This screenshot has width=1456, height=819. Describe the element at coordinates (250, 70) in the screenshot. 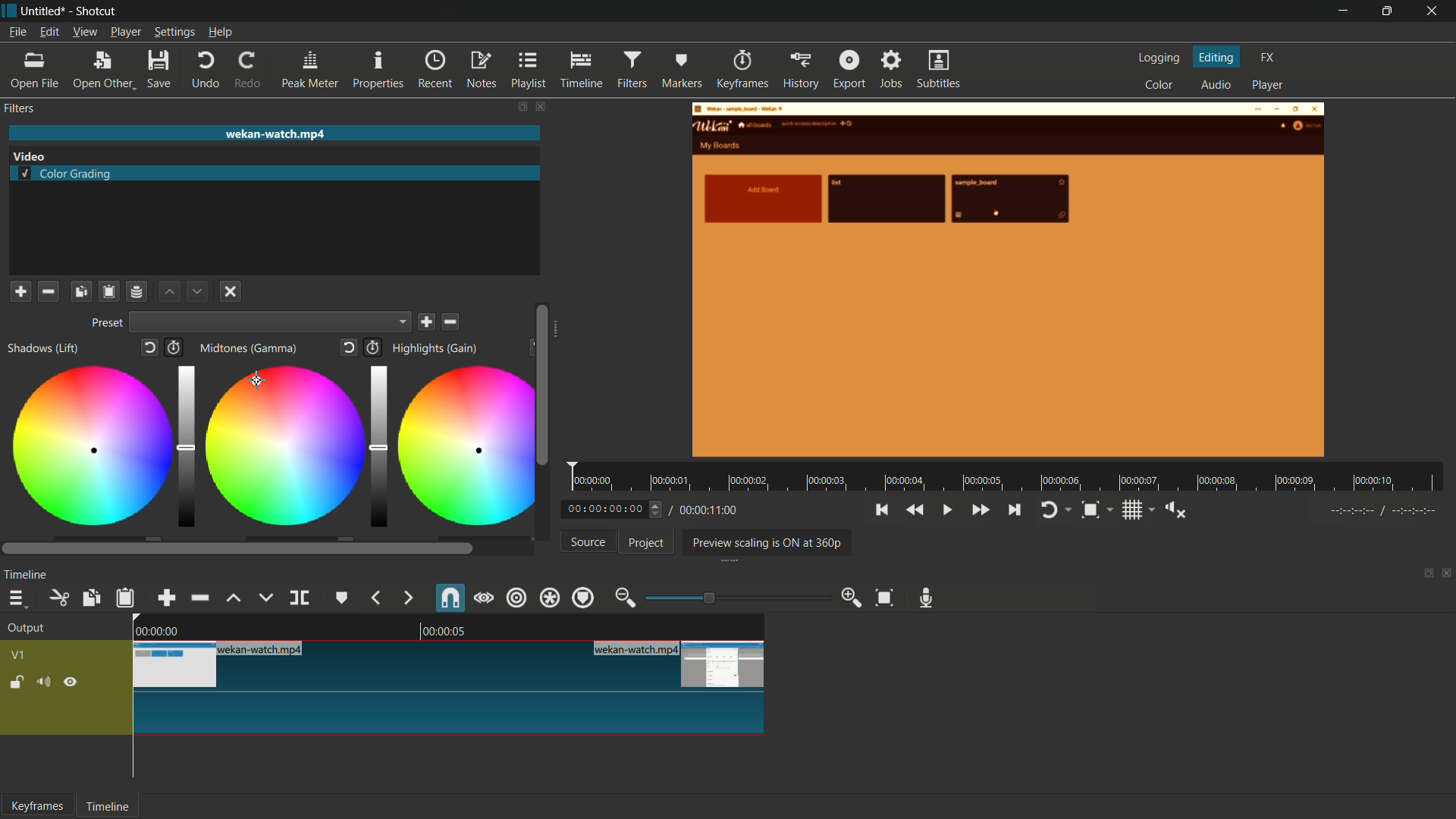

I see `redo` at that location.